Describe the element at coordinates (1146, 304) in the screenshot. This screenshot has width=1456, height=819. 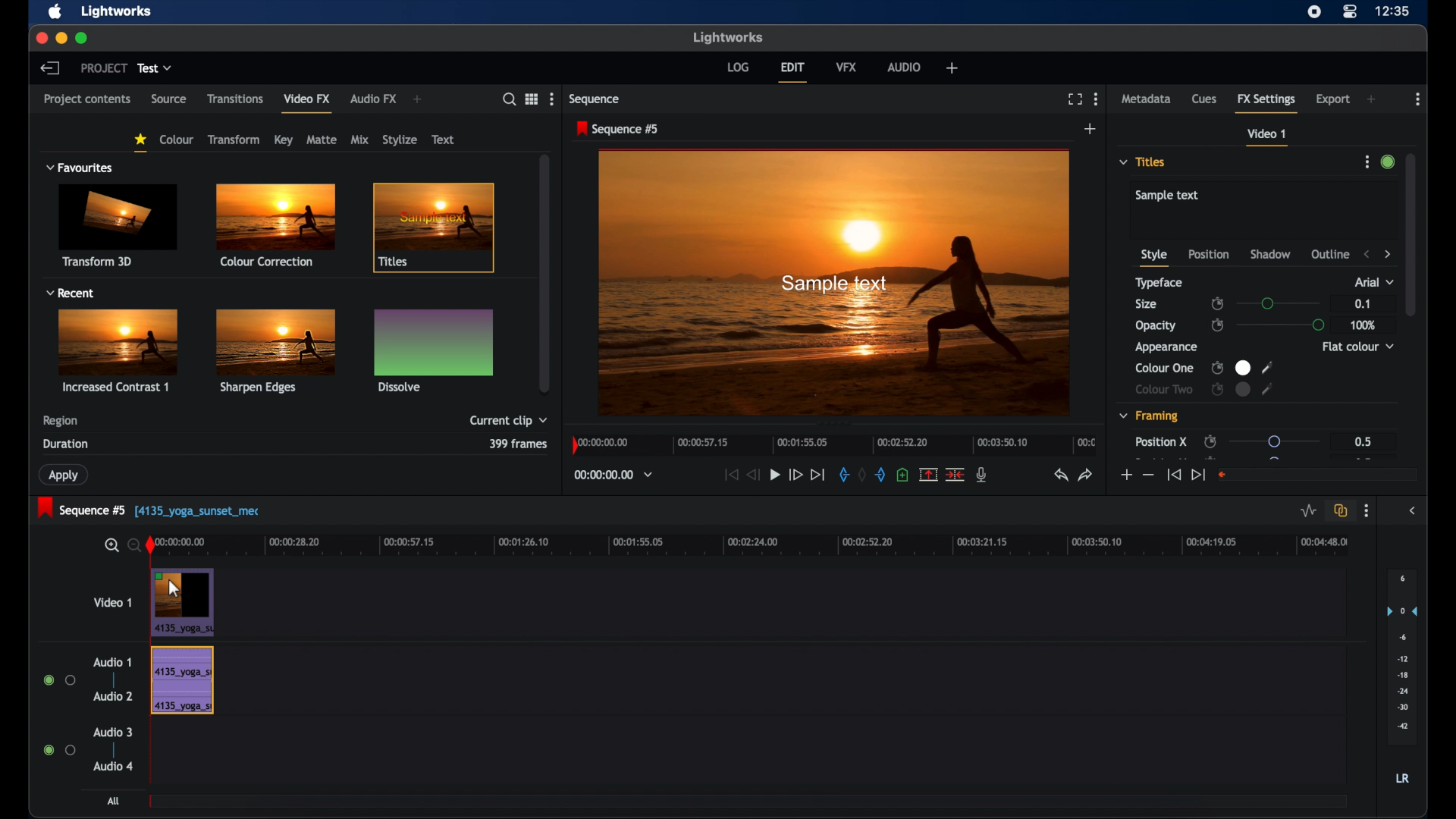
I see `size` at that location.